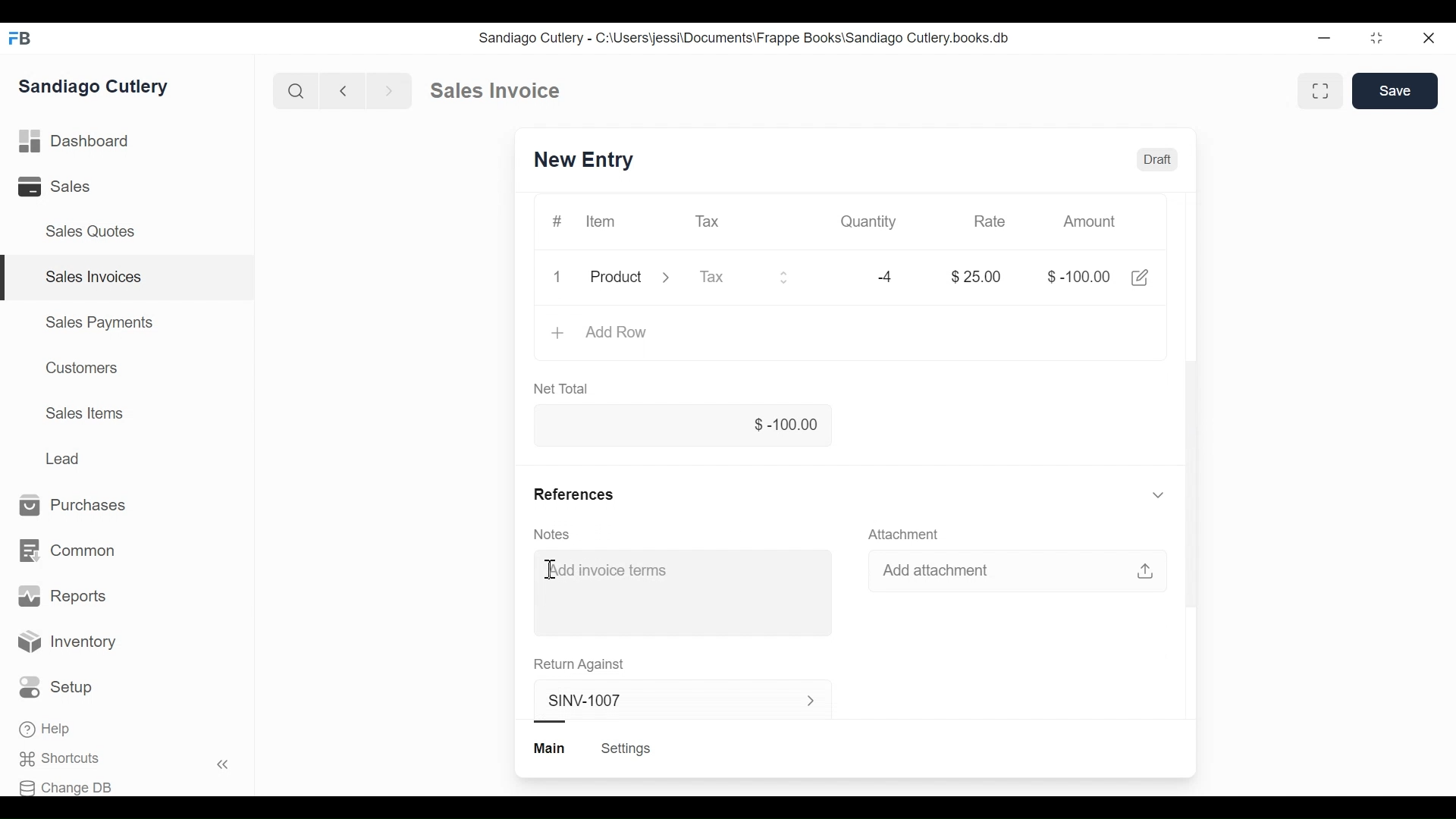  Describe the element at coordinates (52, 186) in the screenshot. I see ` Sales` at that location.